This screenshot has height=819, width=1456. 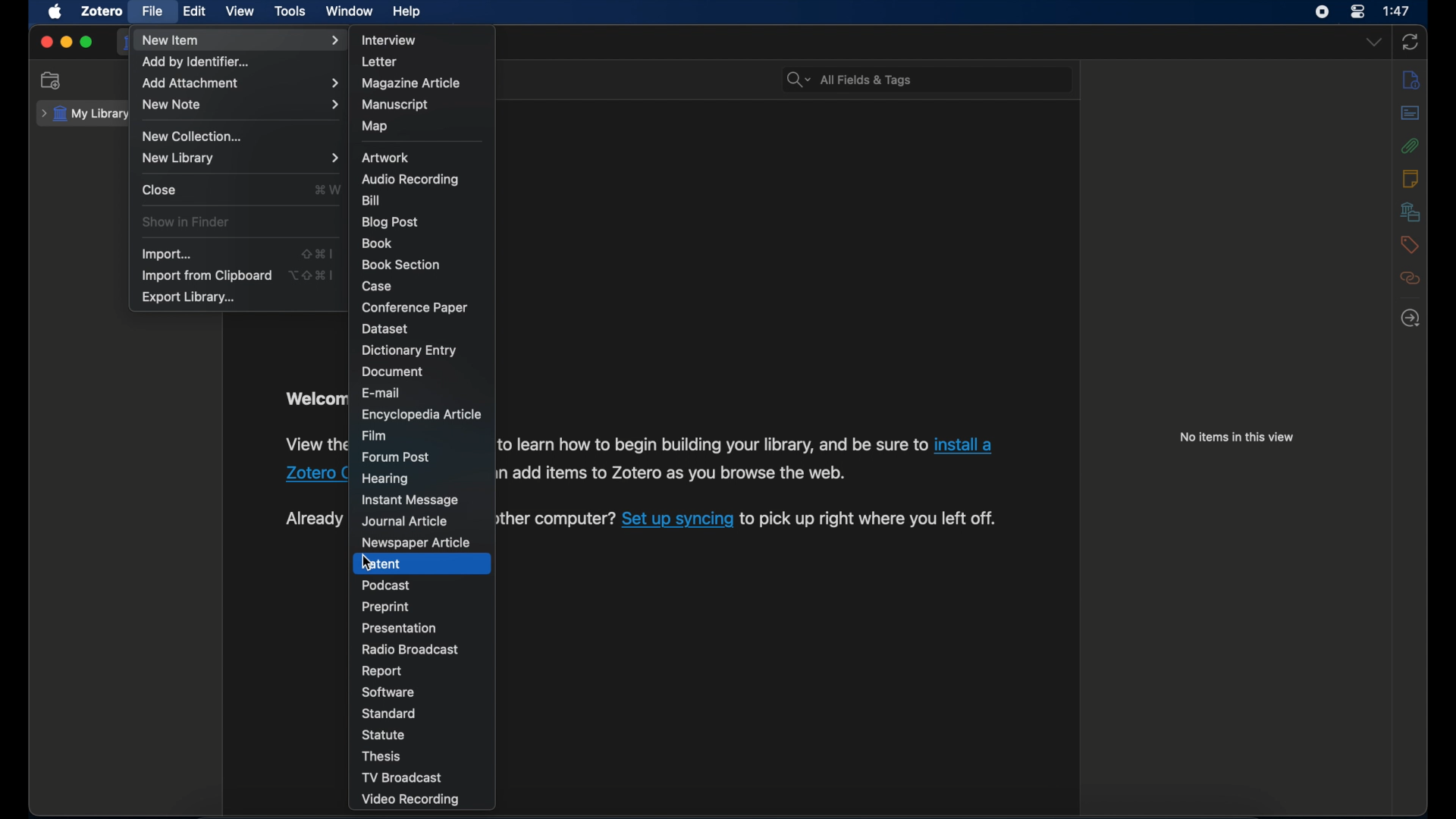 What do you see at coordinates (241, 11) in the screenshot?
I see `view` at bounding box center [241, 11].